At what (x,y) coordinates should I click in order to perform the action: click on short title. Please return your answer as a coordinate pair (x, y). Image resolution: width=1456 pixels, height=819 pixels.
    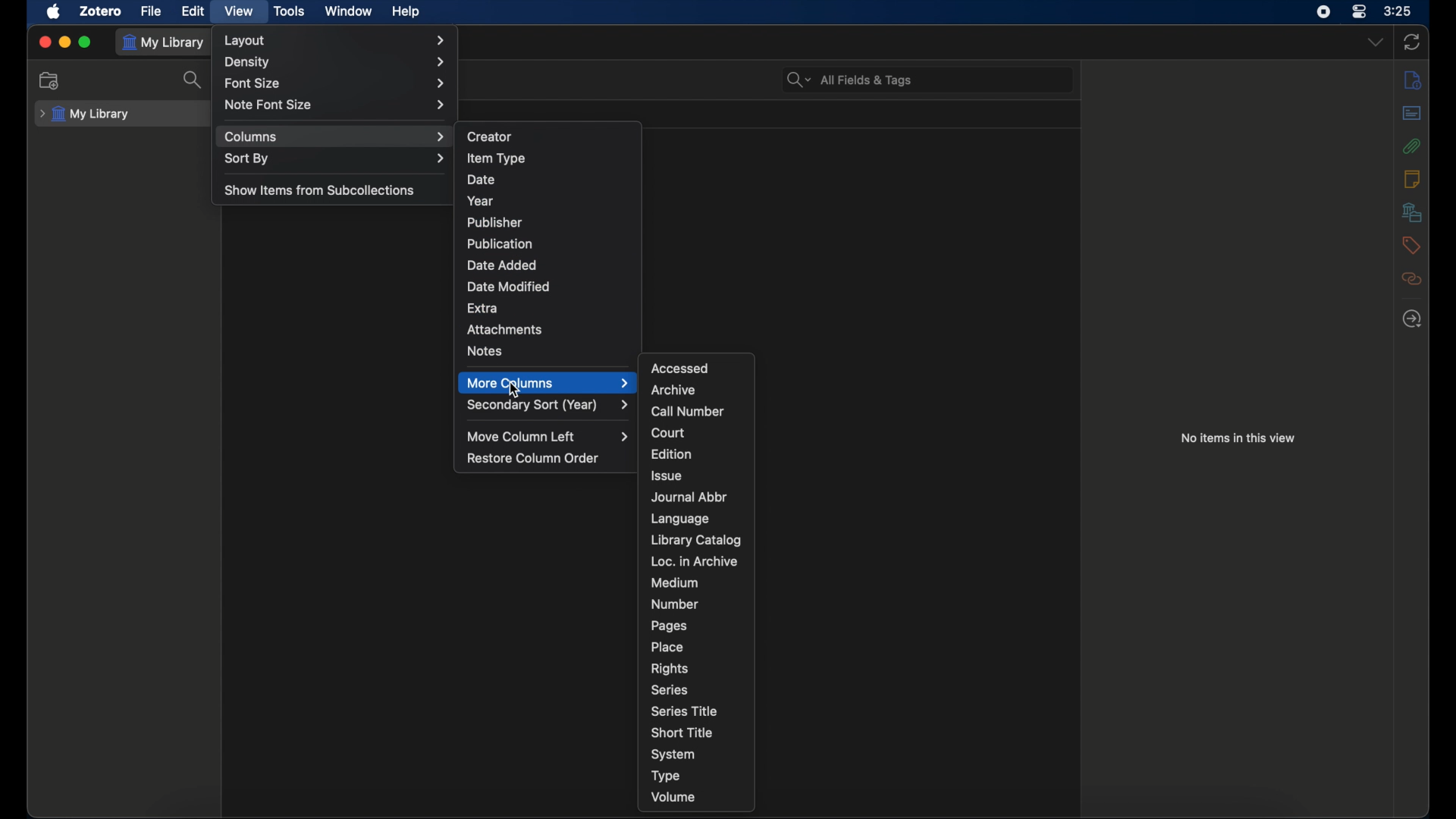
    Looking at the image, I should click on (682, 733).